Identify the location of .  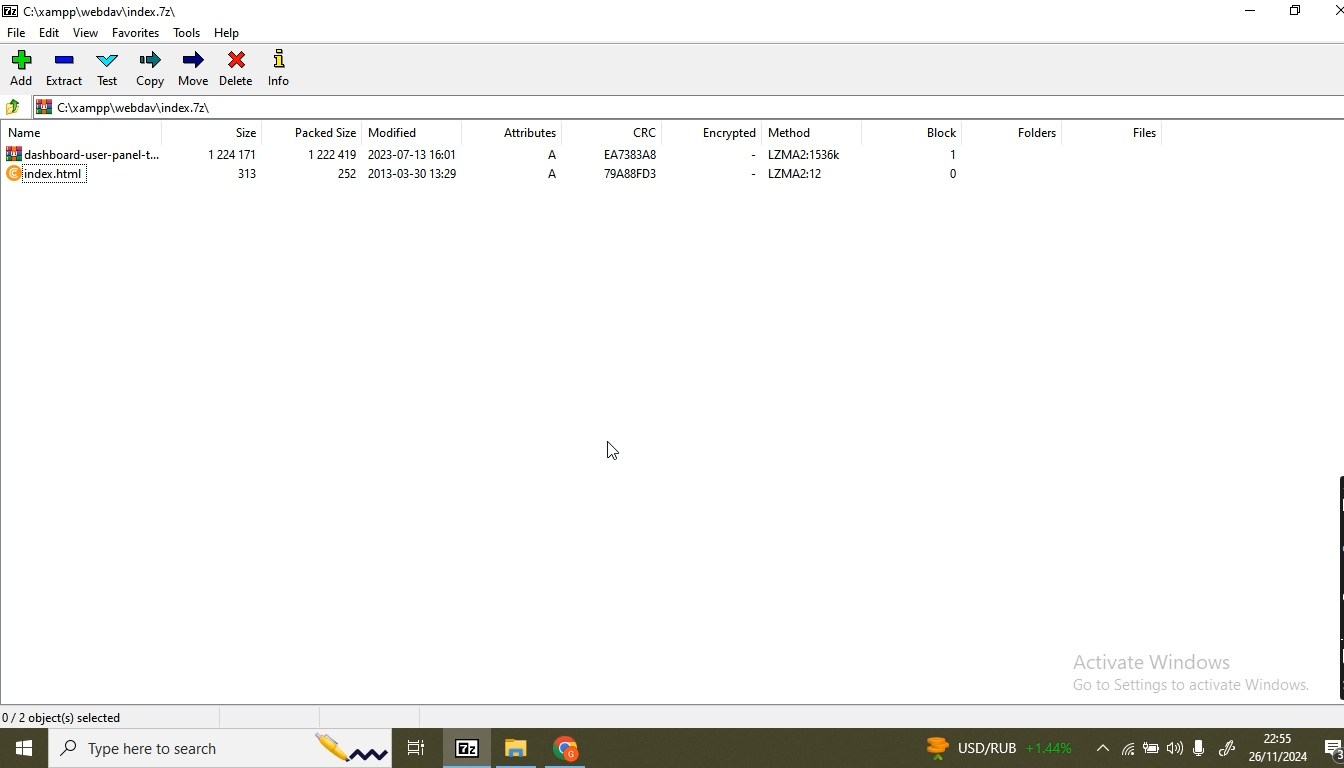
(703, 119).